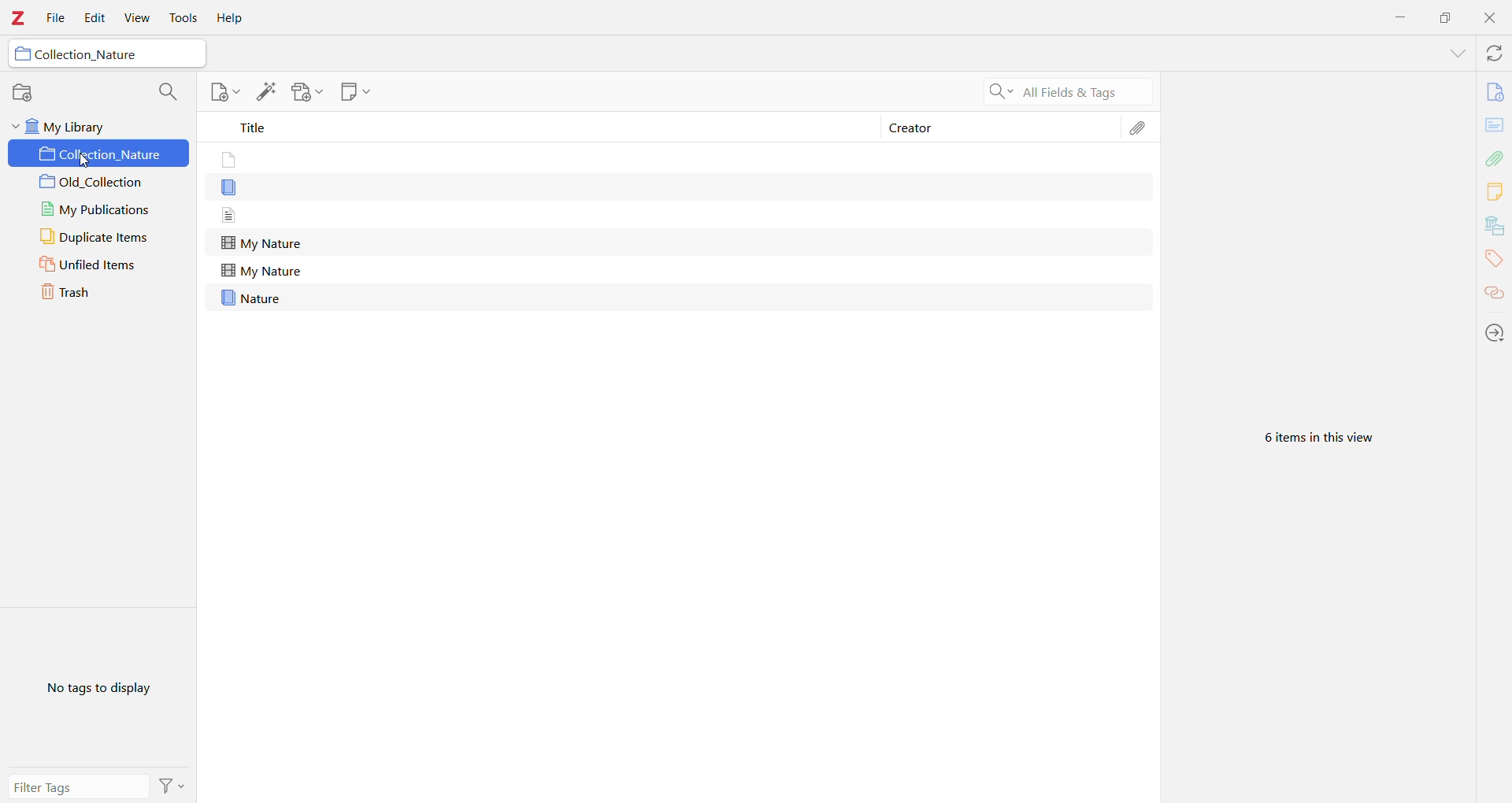 This screenshot has width=1512, height=803. Describe the element at coordinates (89, 55) in the screenshot. I see `Collection_Nature` at that location.